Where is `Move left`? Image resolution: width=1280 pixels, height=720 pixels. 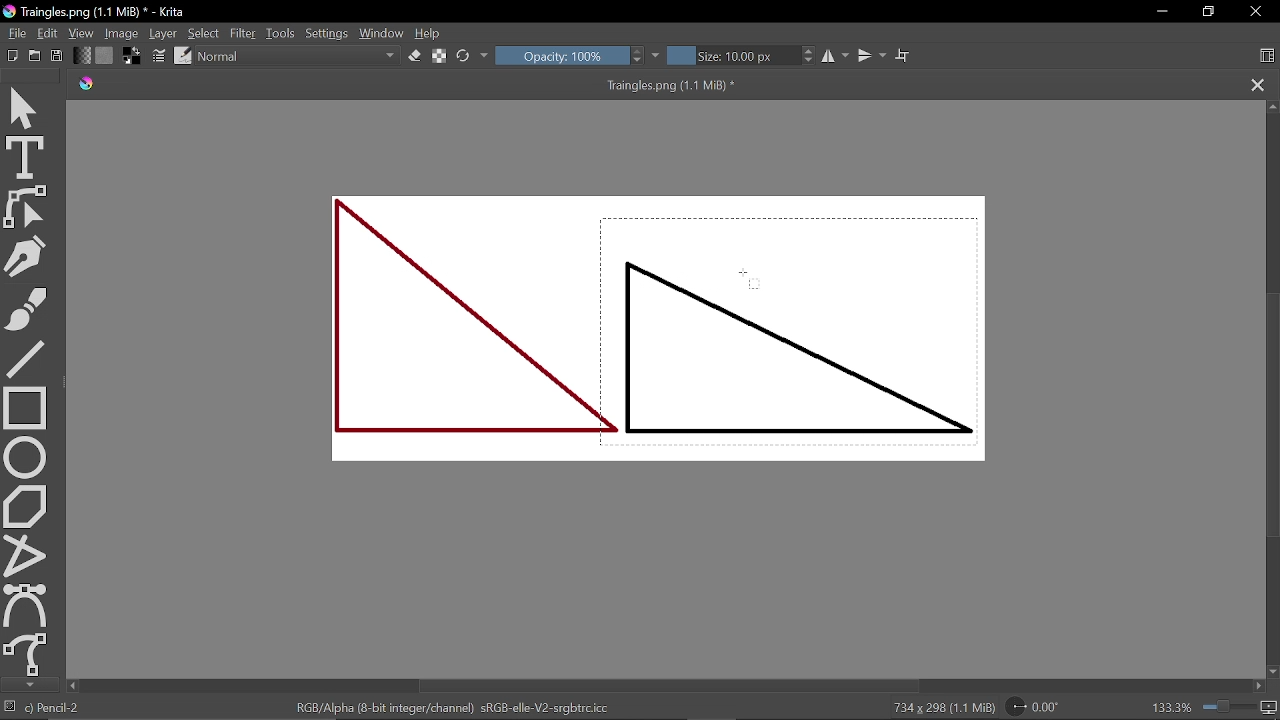
Move left is located at coordinates (1258, 686).